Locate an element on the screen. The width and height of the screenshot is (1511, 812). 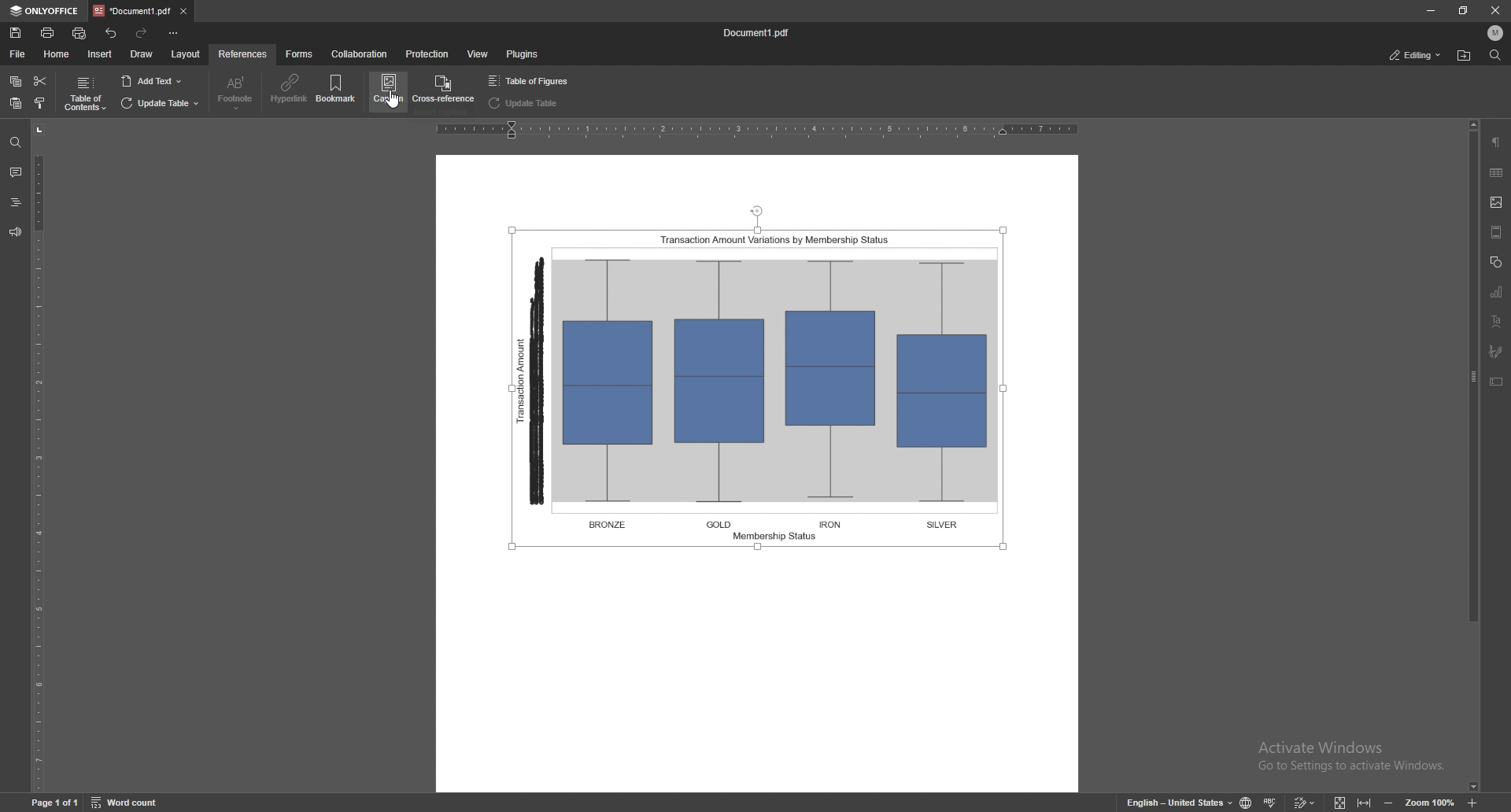
cross references is located at coordinates (441, 90).